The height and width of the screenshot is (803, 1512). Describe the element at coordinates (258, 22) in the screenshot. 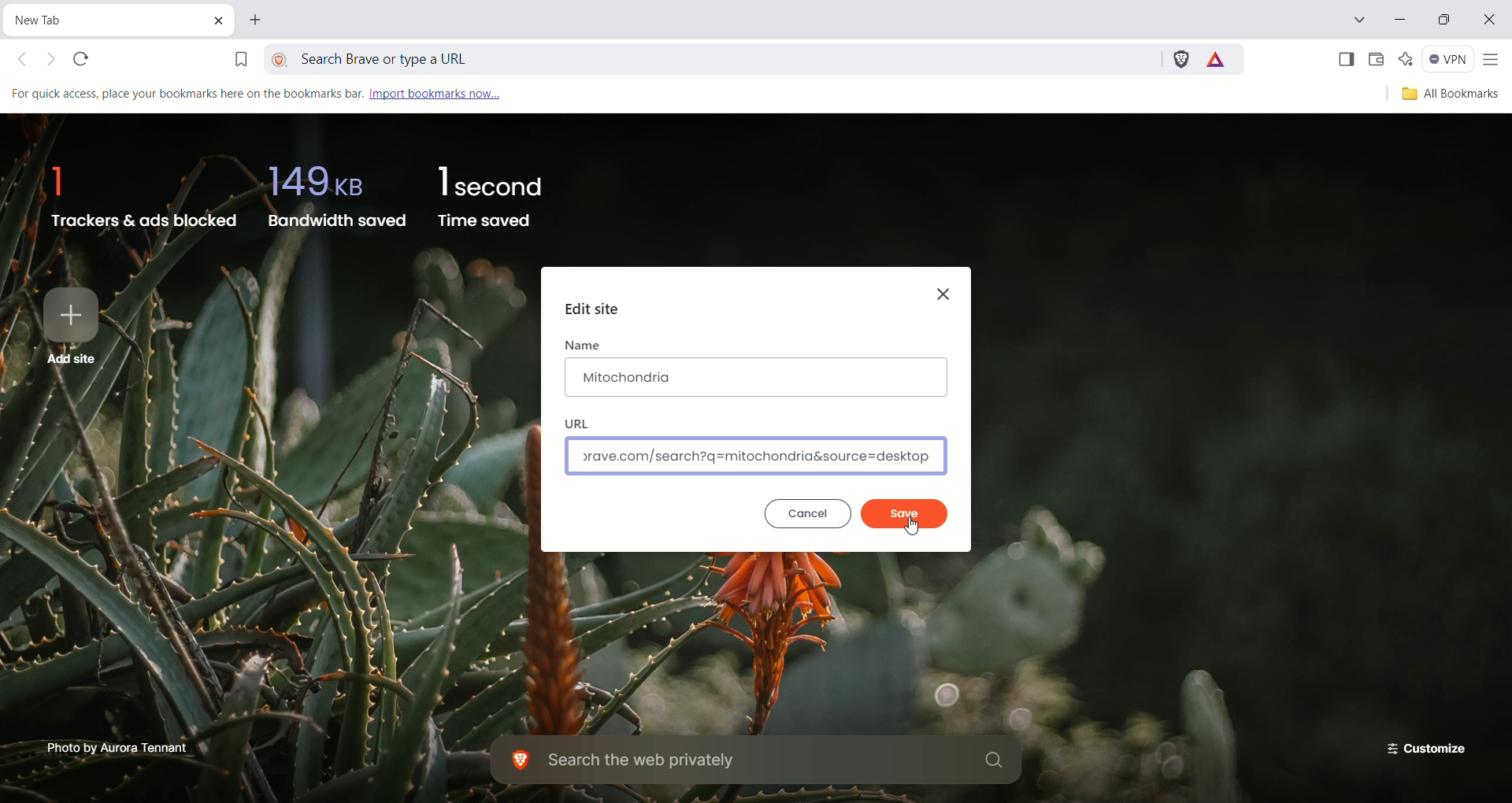

I see `new tab` at that location.